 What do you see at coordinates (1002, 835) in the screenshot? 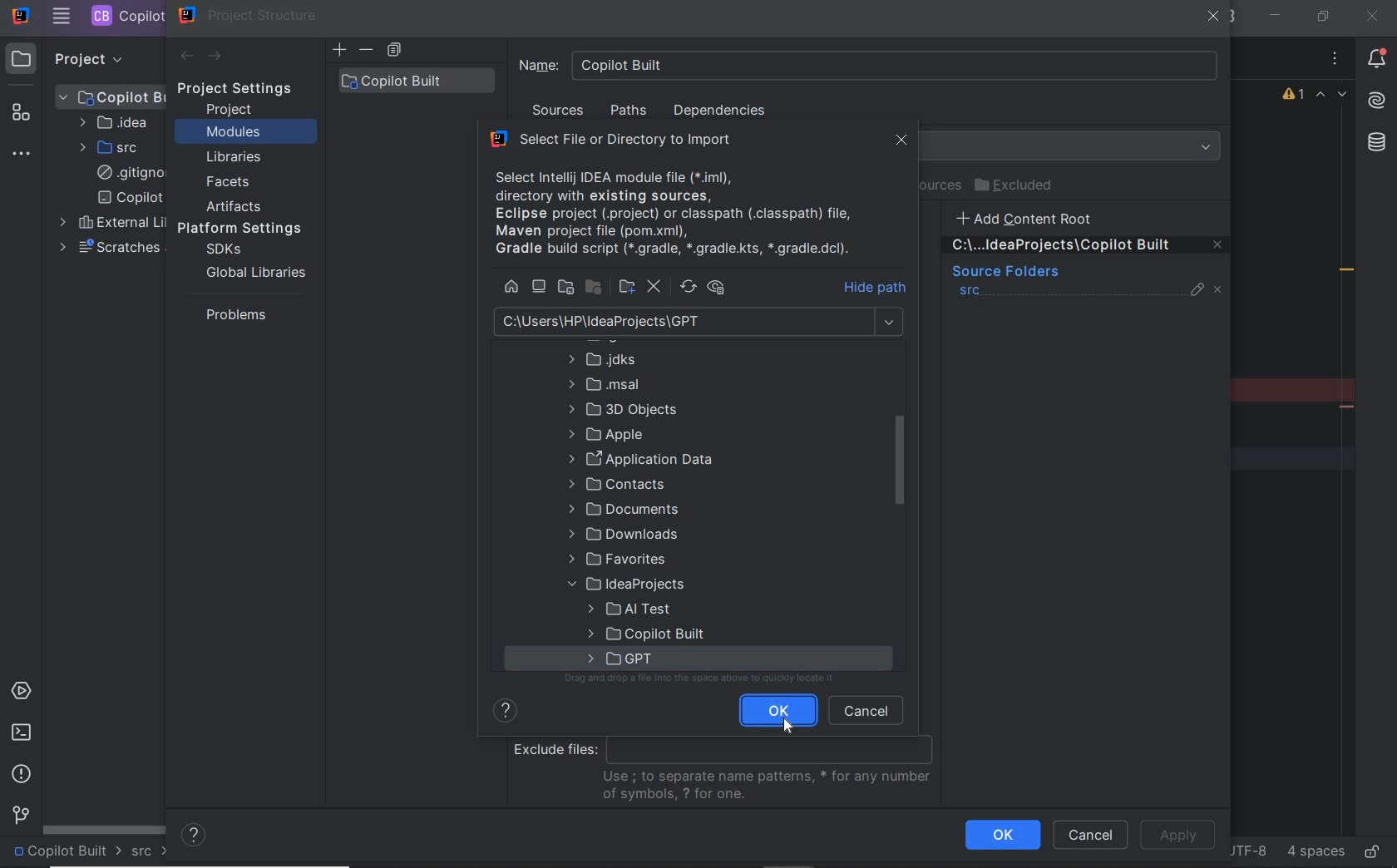
I see `ok` at bounding box center [1002, 835].